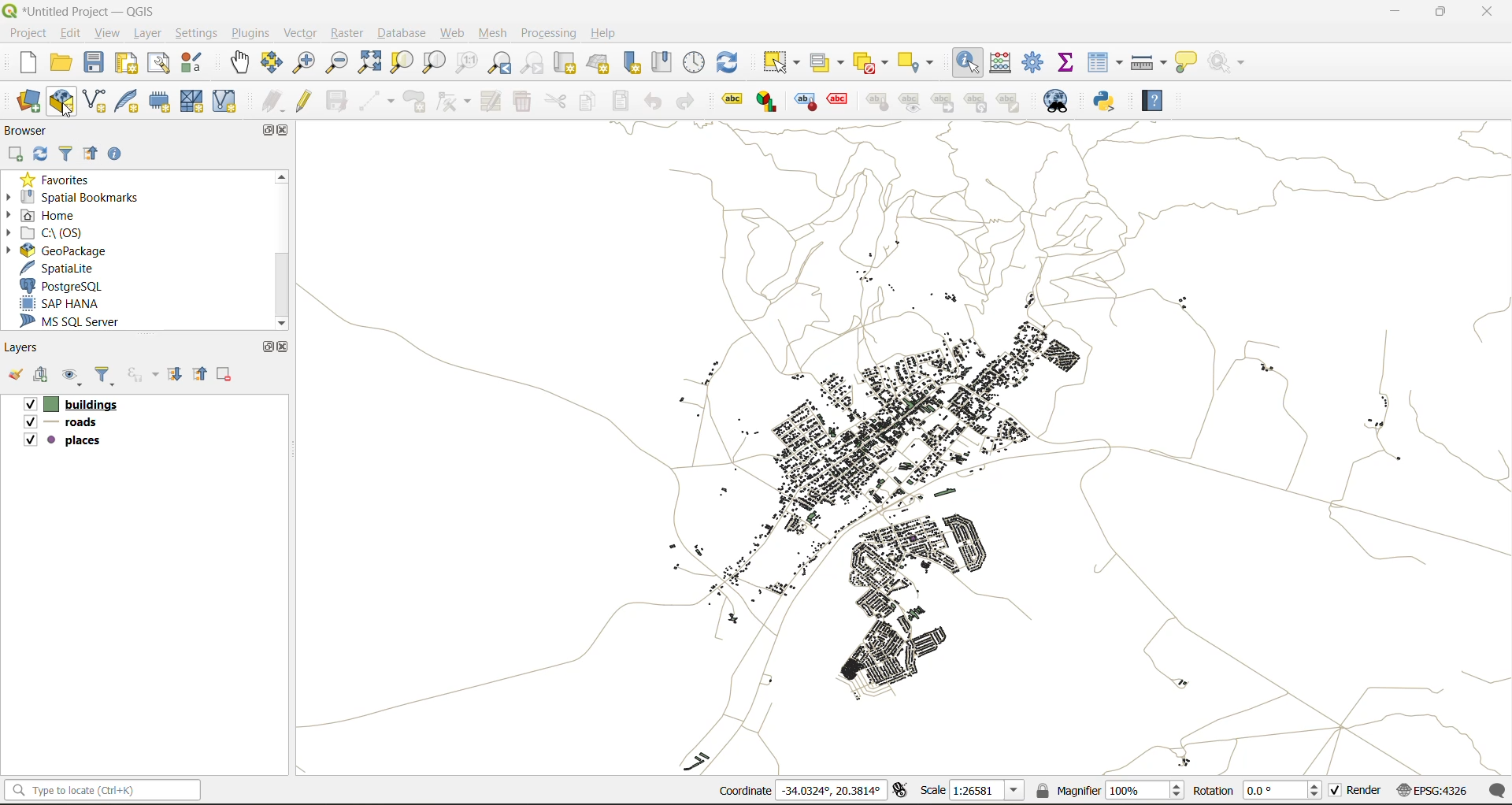 Image resolution: width=1512 pixels, height=805 pixels. Describe the element at coordinates (119, 153) in the screenshot. I see `enable properties` at that location.